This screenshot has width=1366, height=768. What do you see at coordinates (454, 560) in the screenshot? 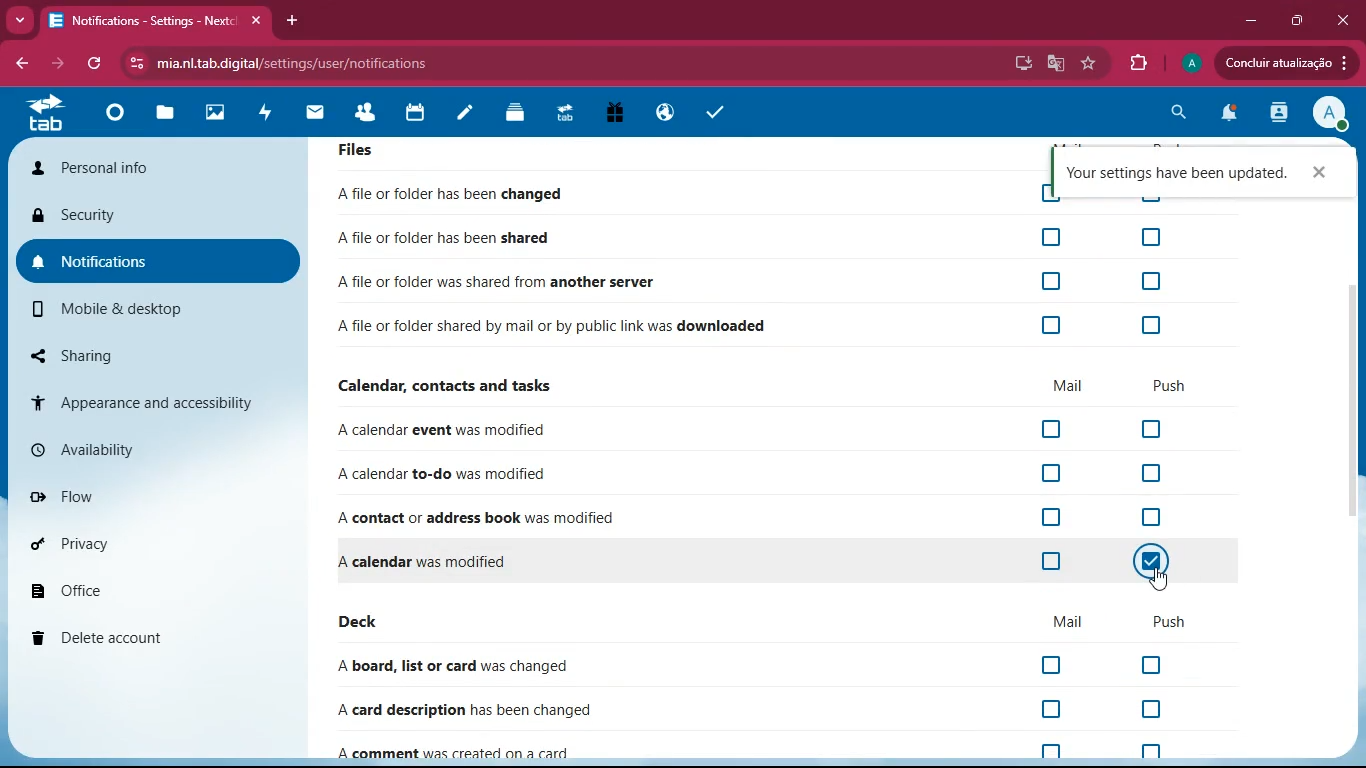
I see `file changed` at bounding box center [454, 560].